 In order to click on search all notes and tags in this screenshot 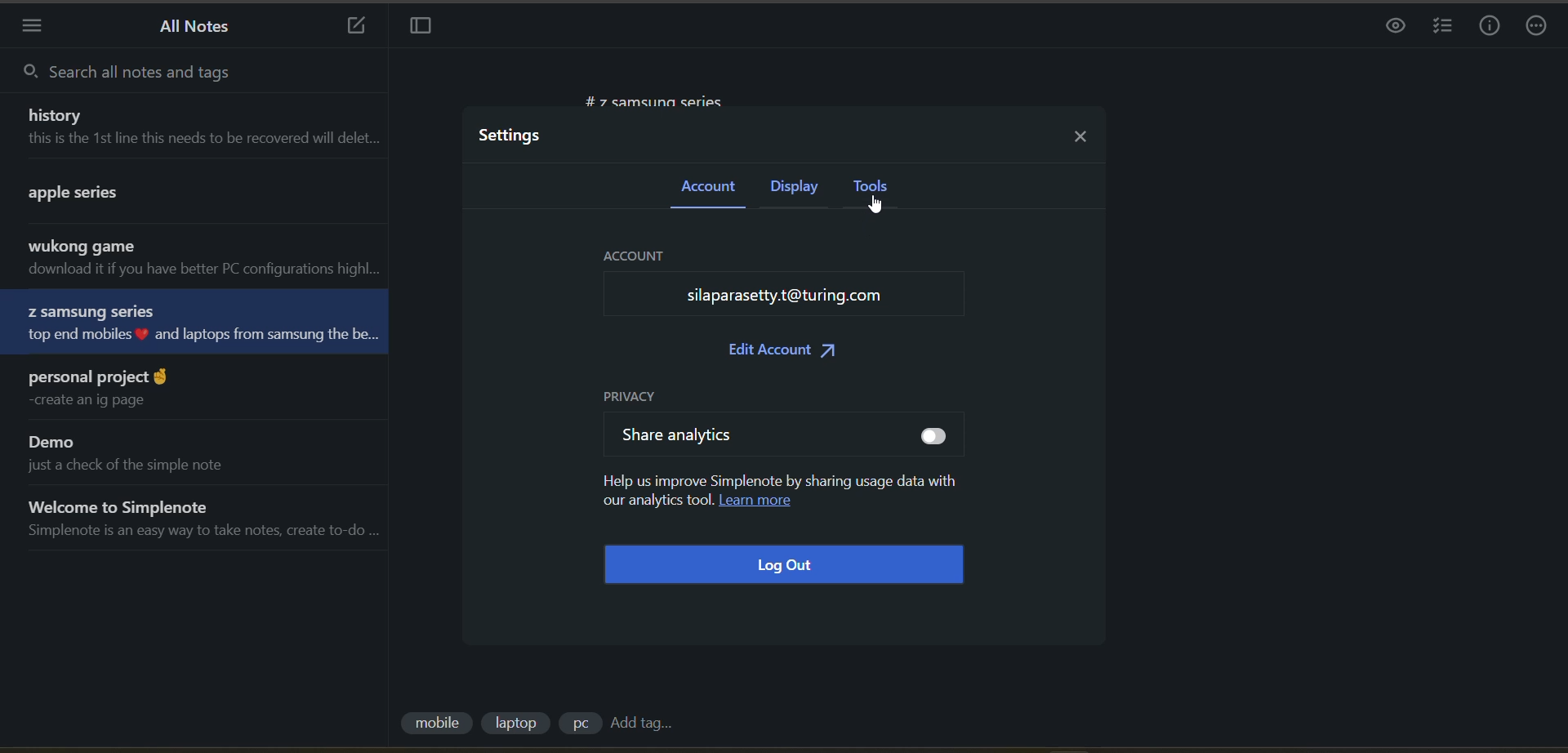, I will do `click(172, 75)`.